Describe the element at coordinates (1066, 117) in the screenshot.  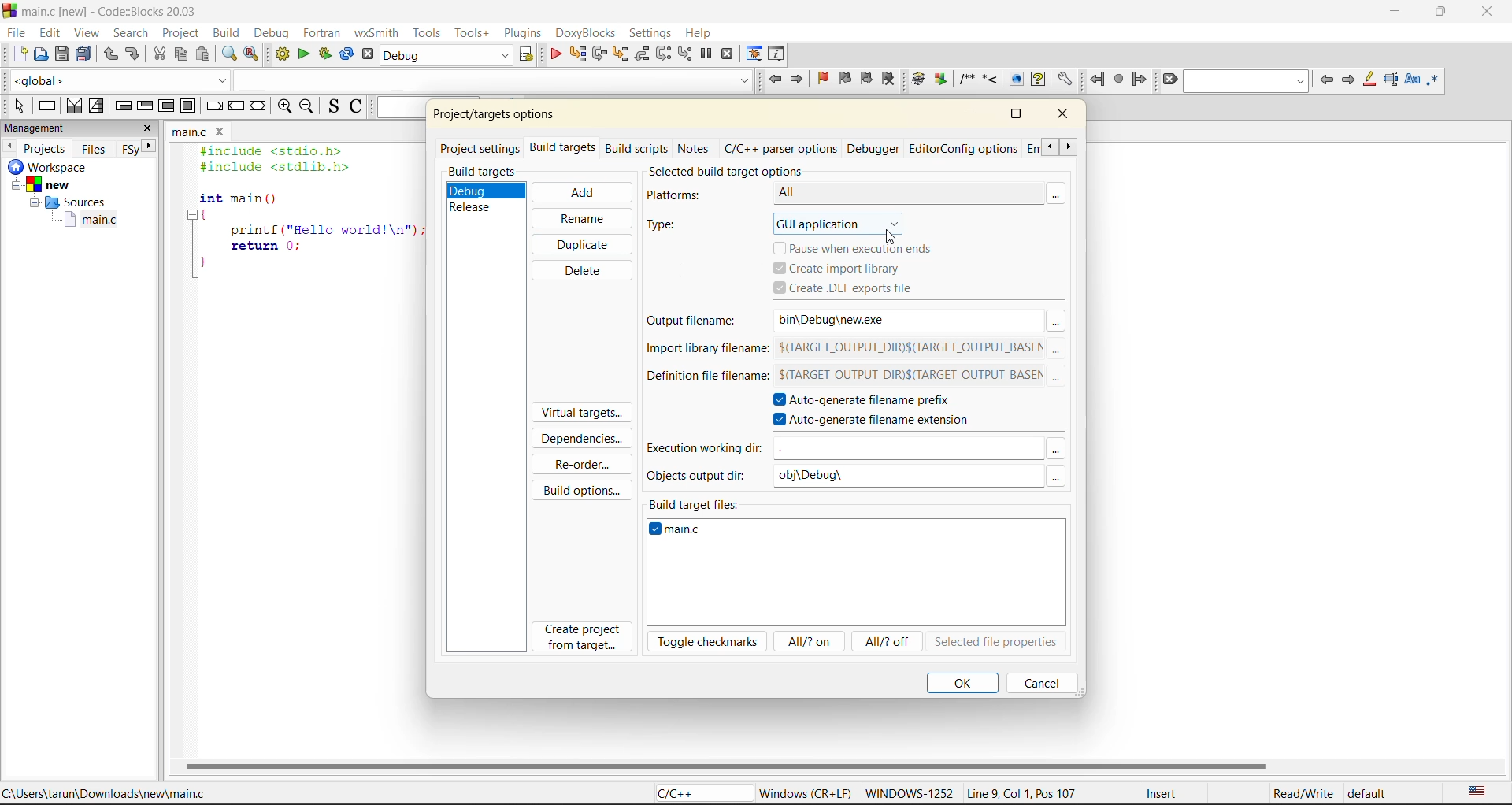
I see `close` at that location.